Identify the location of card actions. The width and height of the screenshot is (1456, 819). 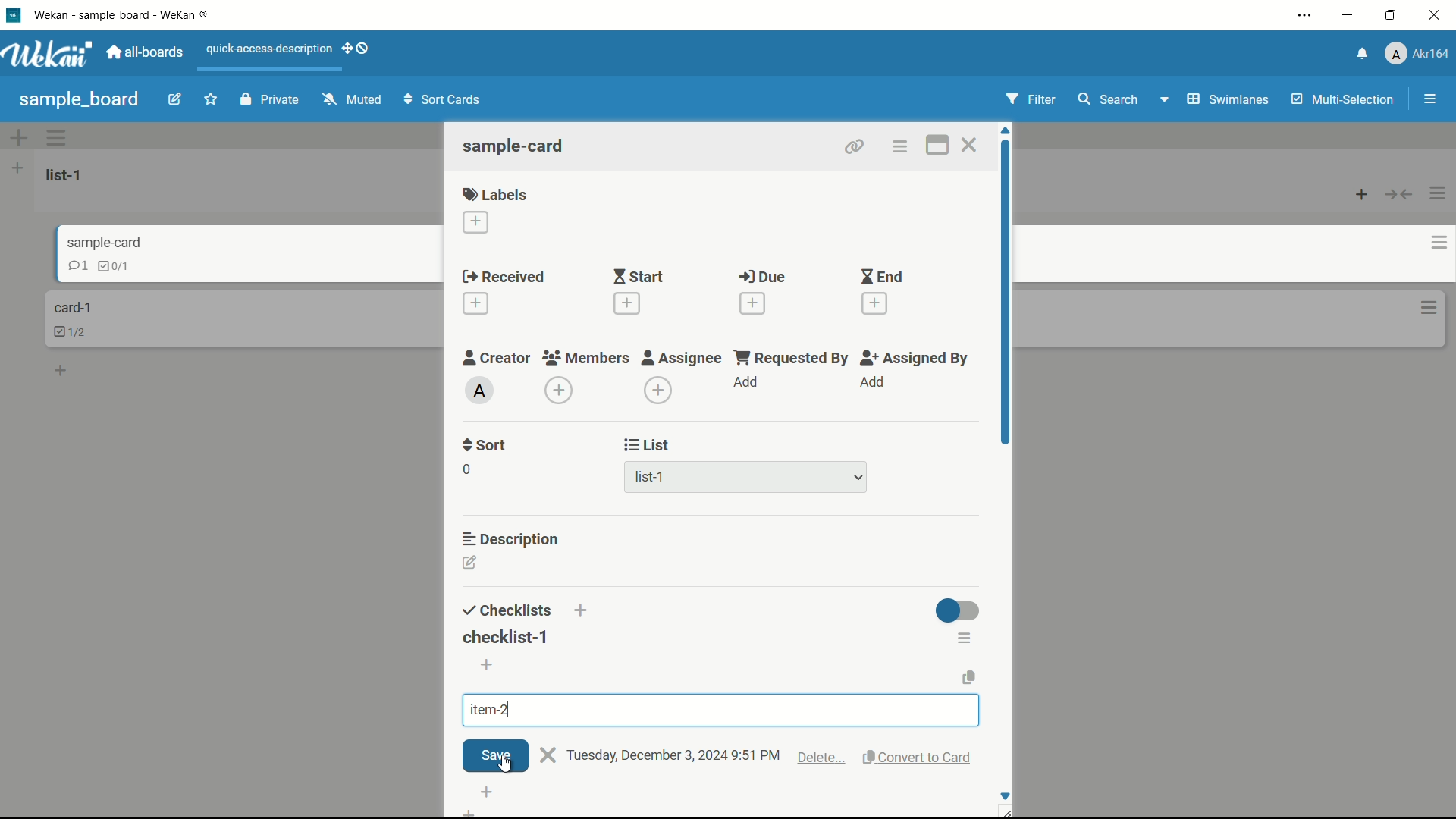
(1430, 309).